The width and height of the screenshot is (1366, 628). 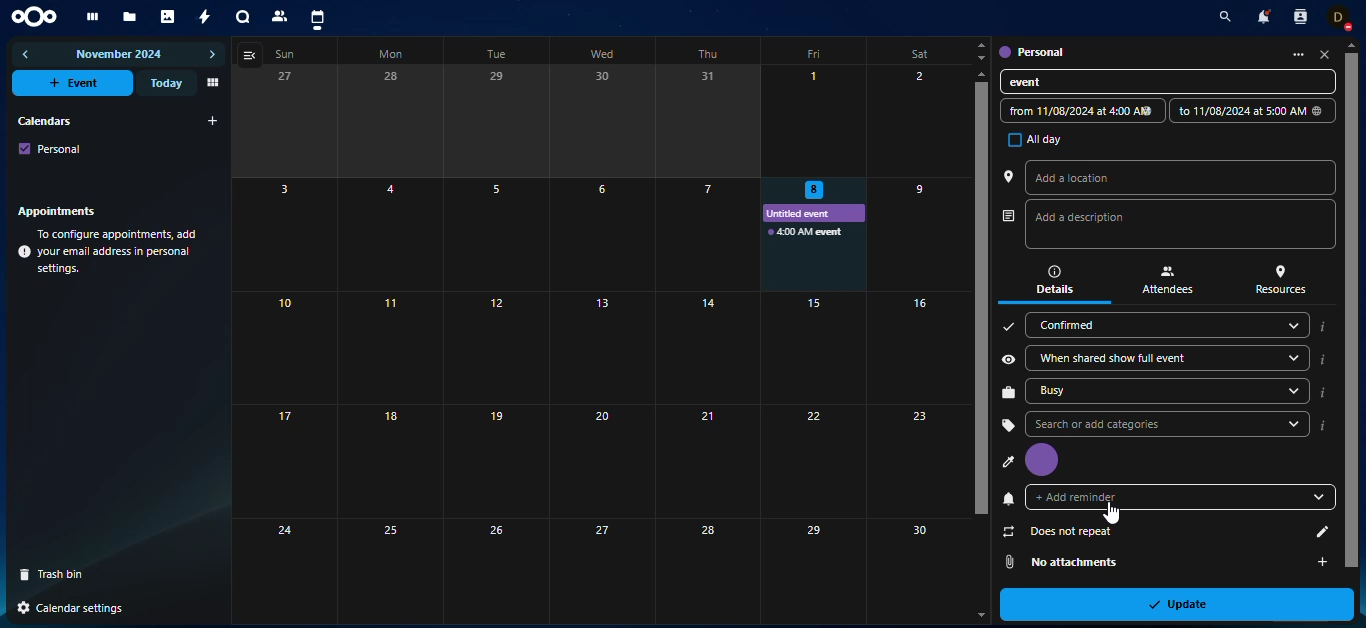 What do you see at coordinates (394, 53) in the screenshot?
I see `mon` at bounding box center [394, 53].